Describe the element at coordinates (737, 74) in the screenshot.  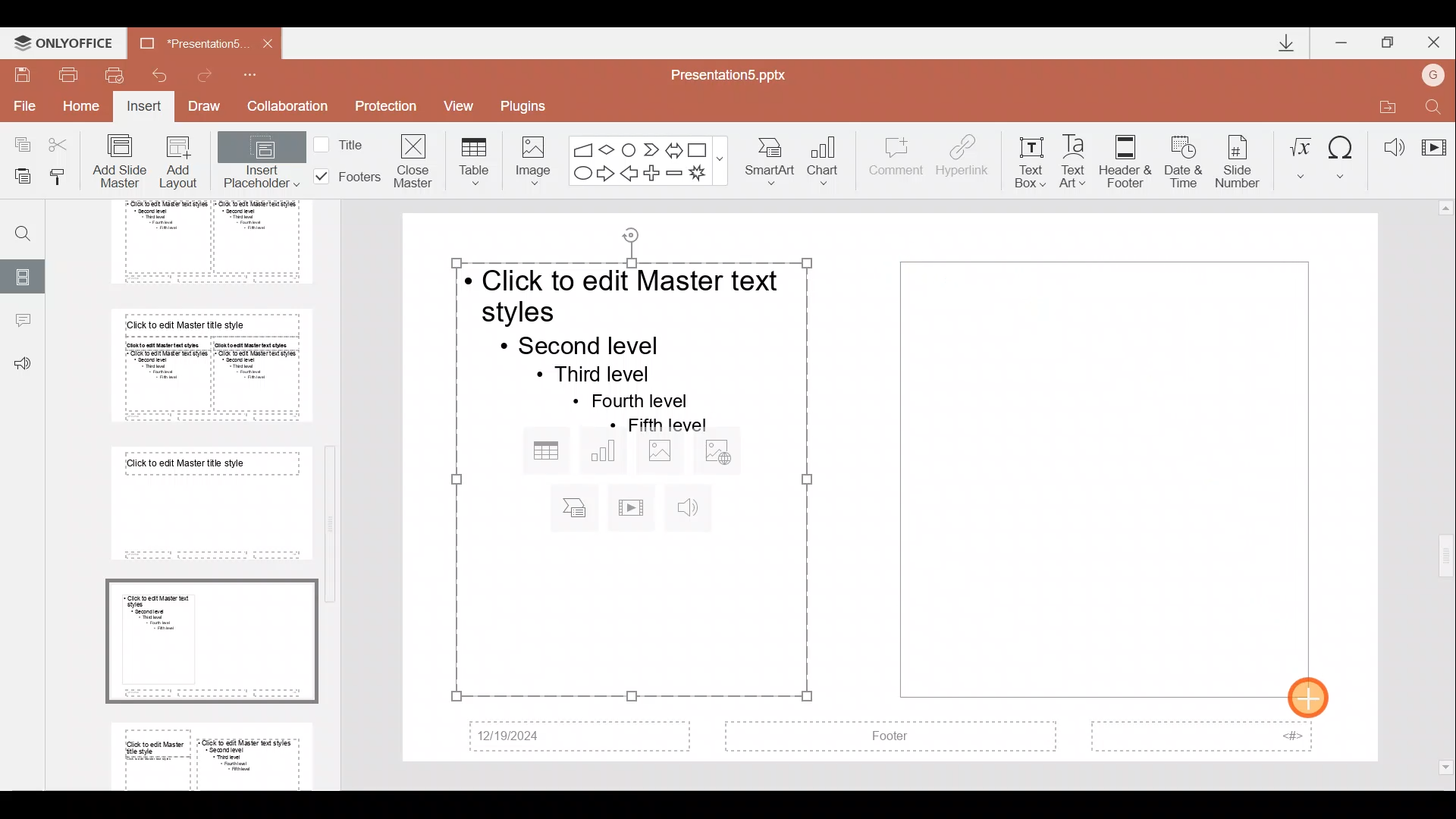
I see `Document name` at that location.